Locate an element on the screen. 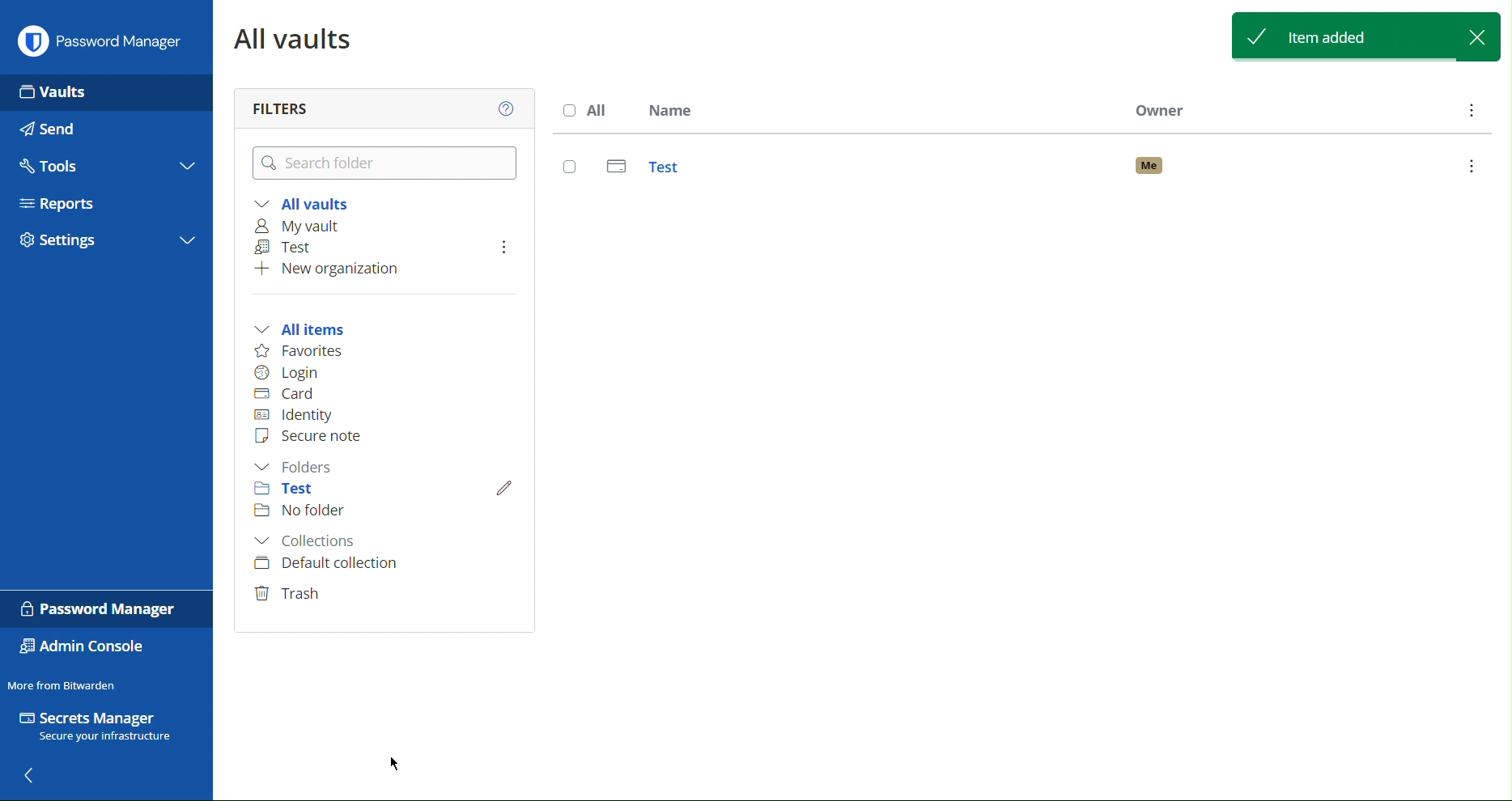 This screenshot has height=801, width=1512. Back is located at coordinates (33, 777).